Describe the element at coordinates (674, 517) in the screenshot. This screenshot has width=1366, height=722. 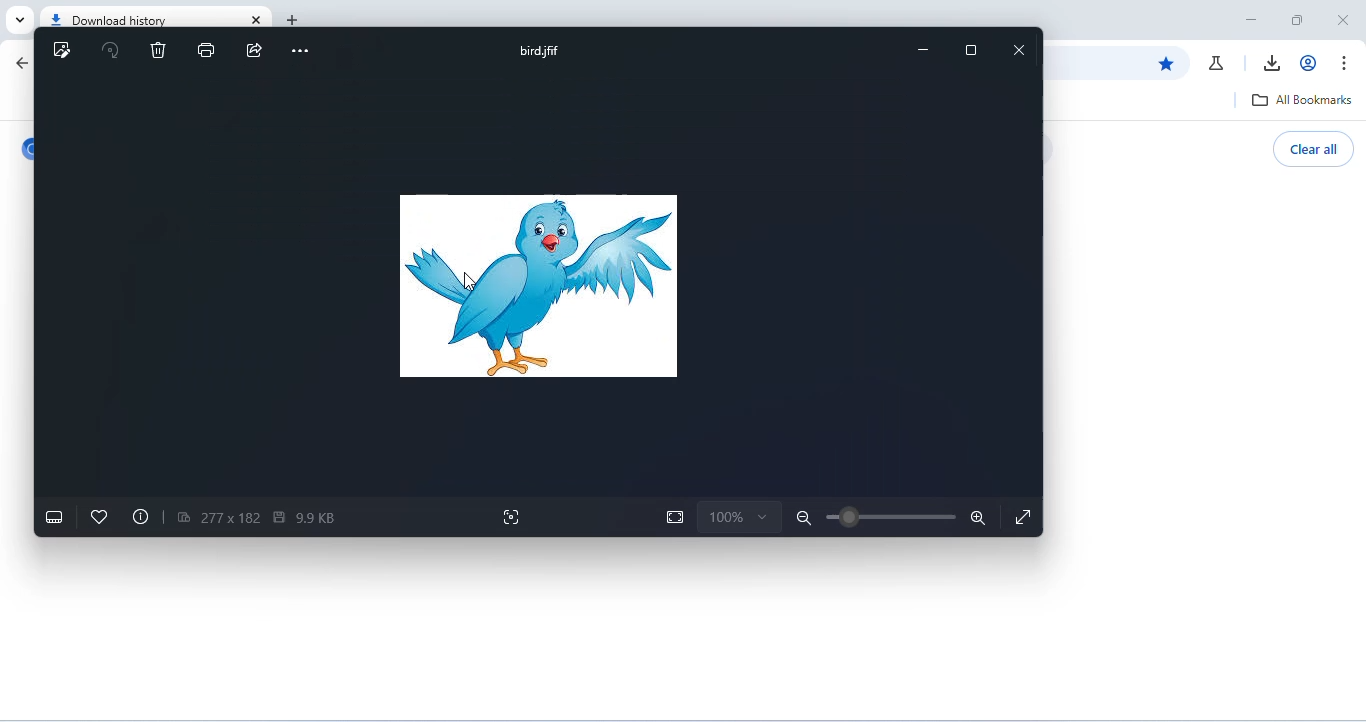
I see `fit to page` at that location.